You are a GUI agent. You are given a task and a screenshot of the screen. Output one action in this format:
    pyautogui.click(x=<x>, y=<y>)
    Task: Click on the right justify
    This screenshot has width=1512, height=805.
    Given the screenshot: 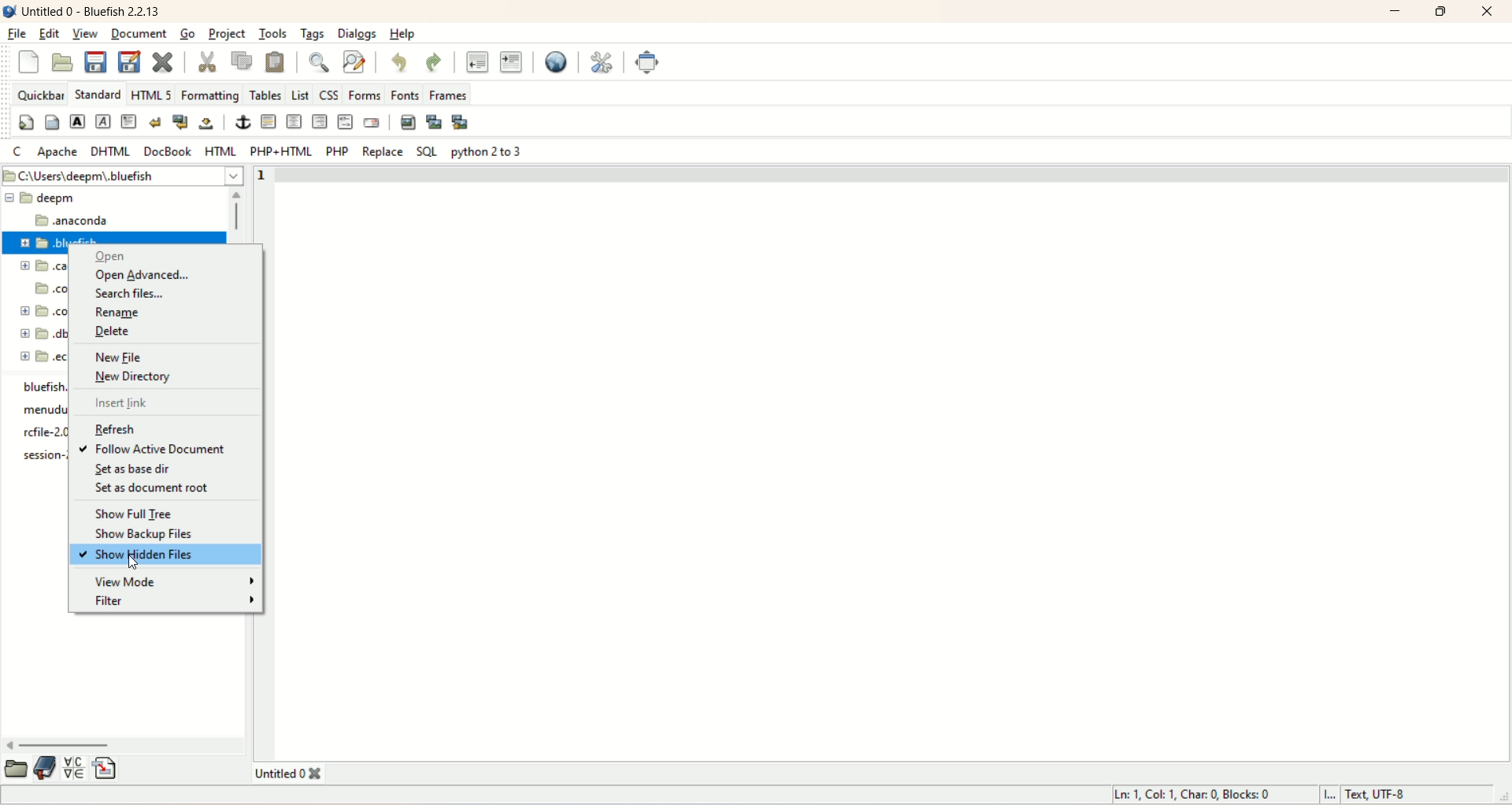 What is the action you would take?
    pyautogui.click(x=319, y=123)
    